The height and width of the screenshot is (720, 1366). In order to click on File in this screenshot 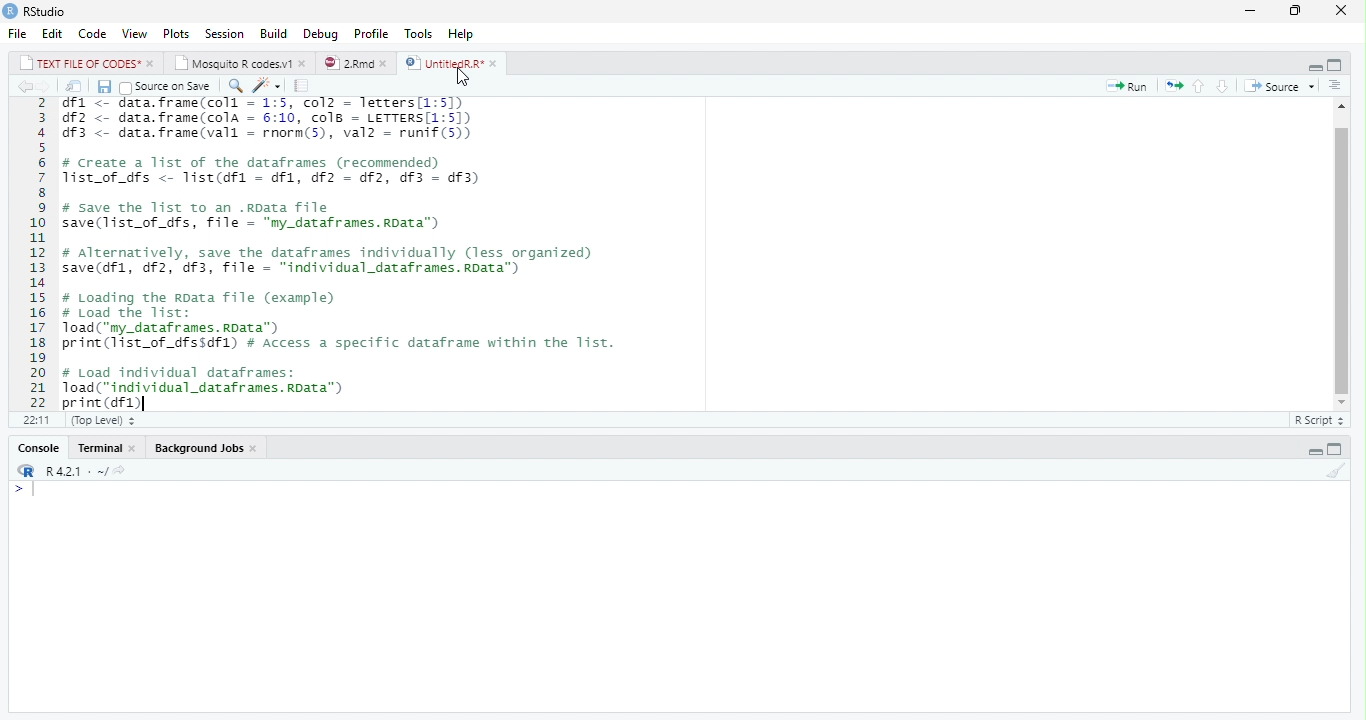, I will do `click(19, 33)`.